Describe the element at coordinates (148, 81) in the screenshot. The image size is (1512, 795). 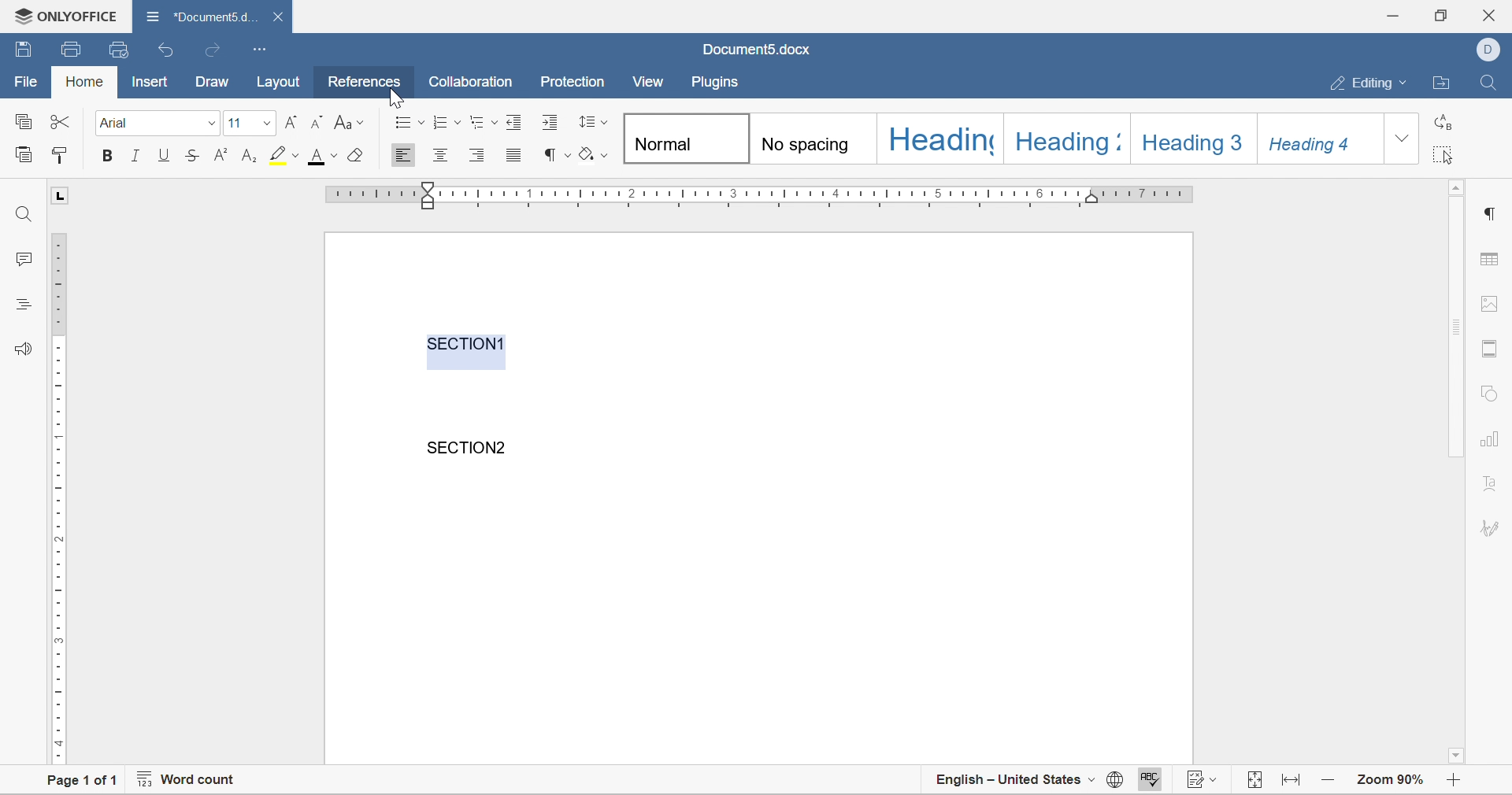
I see `insert` at that location.